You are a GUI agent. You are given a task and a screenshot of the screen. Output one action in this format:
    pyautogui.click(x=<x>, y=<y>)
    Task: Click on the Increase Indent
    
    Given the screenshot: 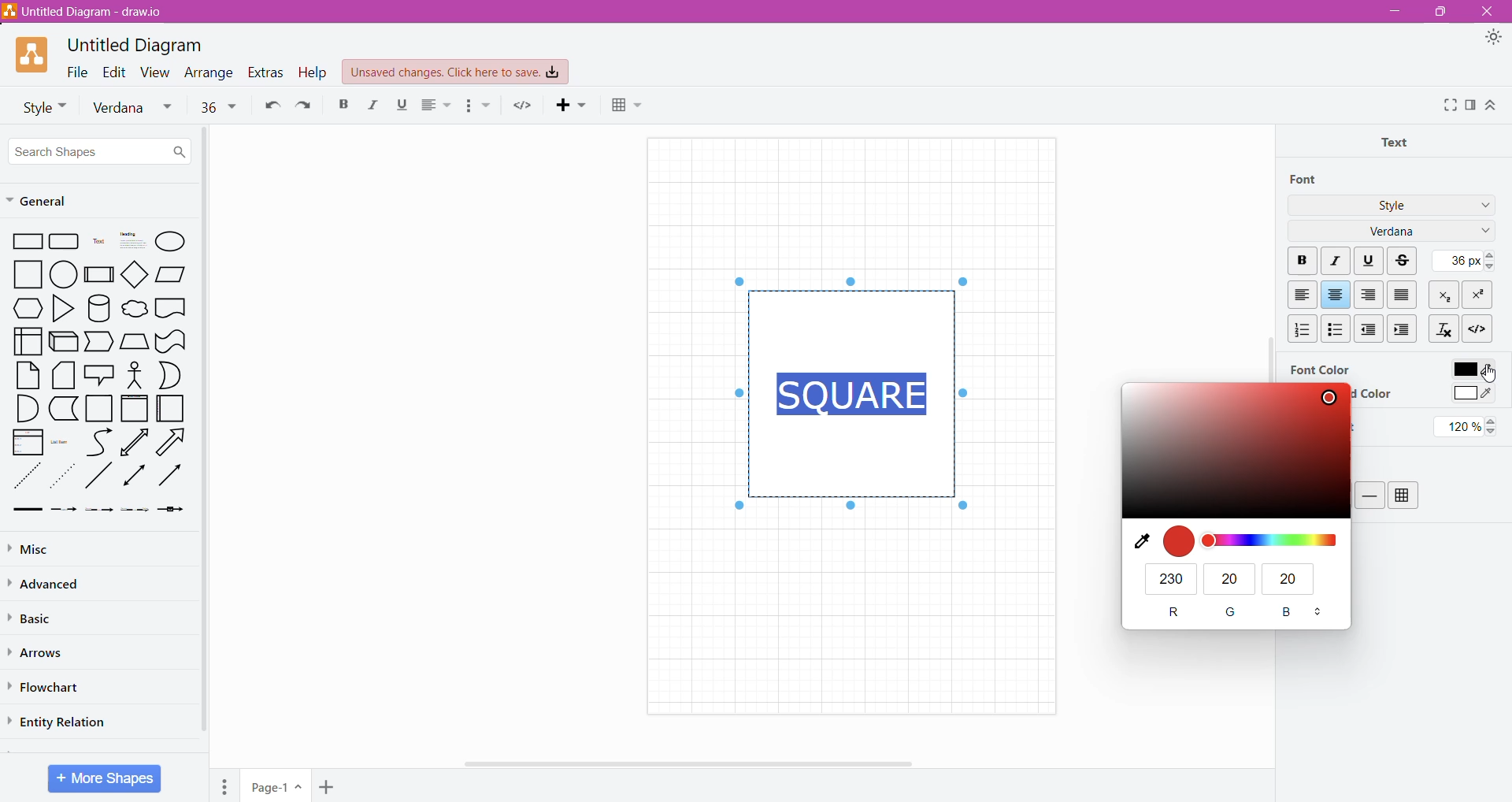 What is the action you would take?
    pyautogui.click(x=1404, y=329)
    